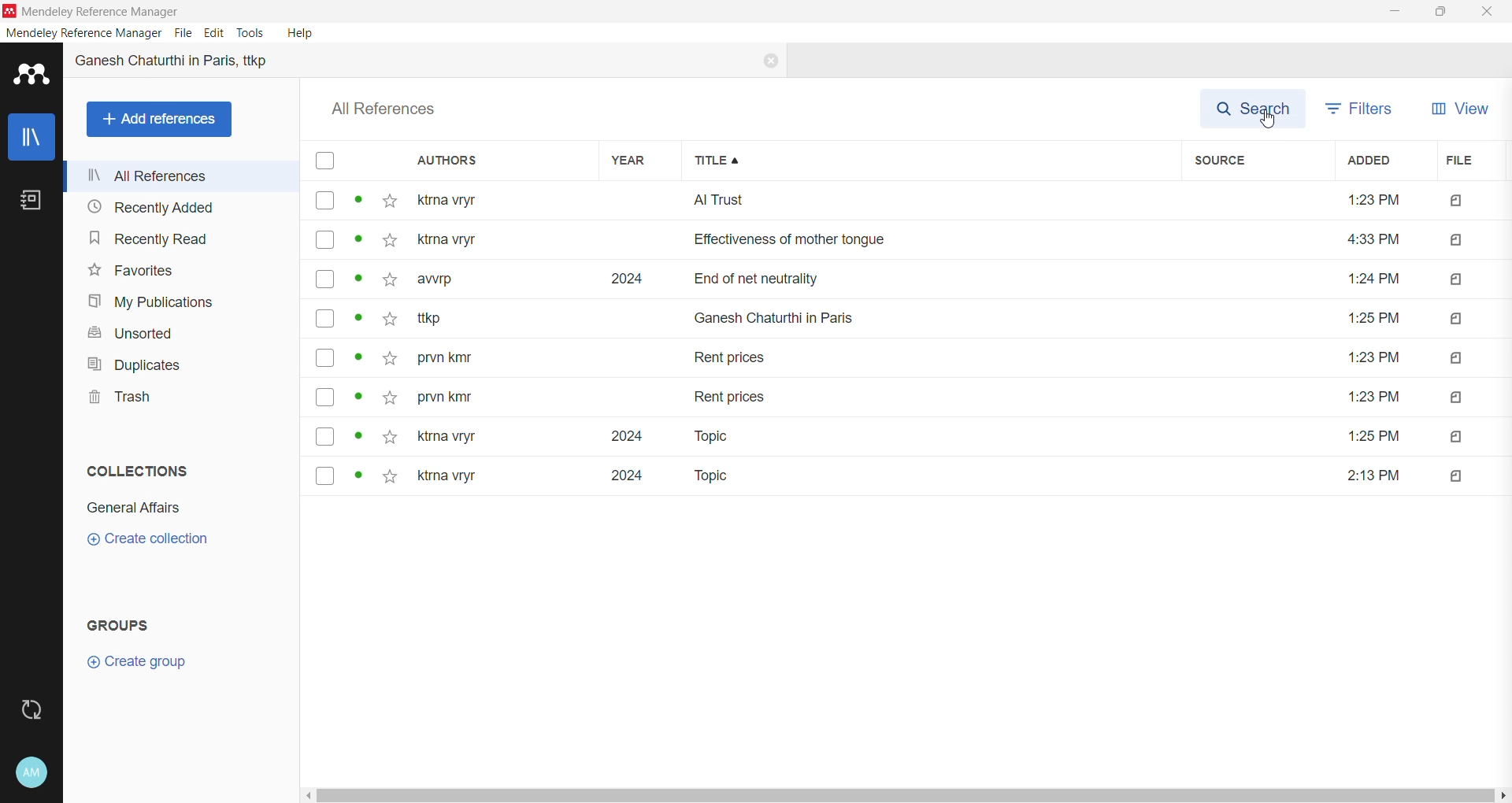  What do you see at coordinates (326, 475) in the screenshot?
I see `select reference ` at bounding box center [326, 475].